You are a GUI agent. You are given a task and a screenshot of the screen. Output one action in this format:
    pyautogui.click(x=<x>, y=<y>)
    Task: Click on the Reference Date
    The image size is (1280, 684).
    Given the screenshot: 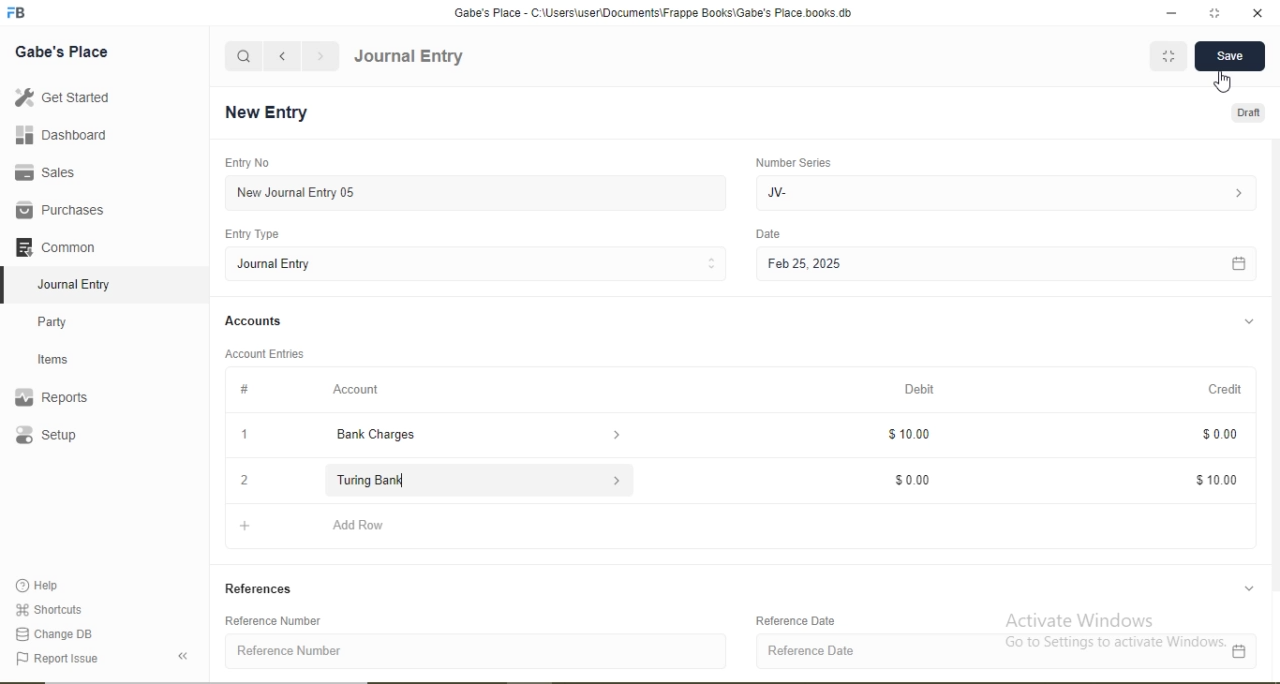 What is the action you would take?
    pyautogui.click(x=801, y=620)
    